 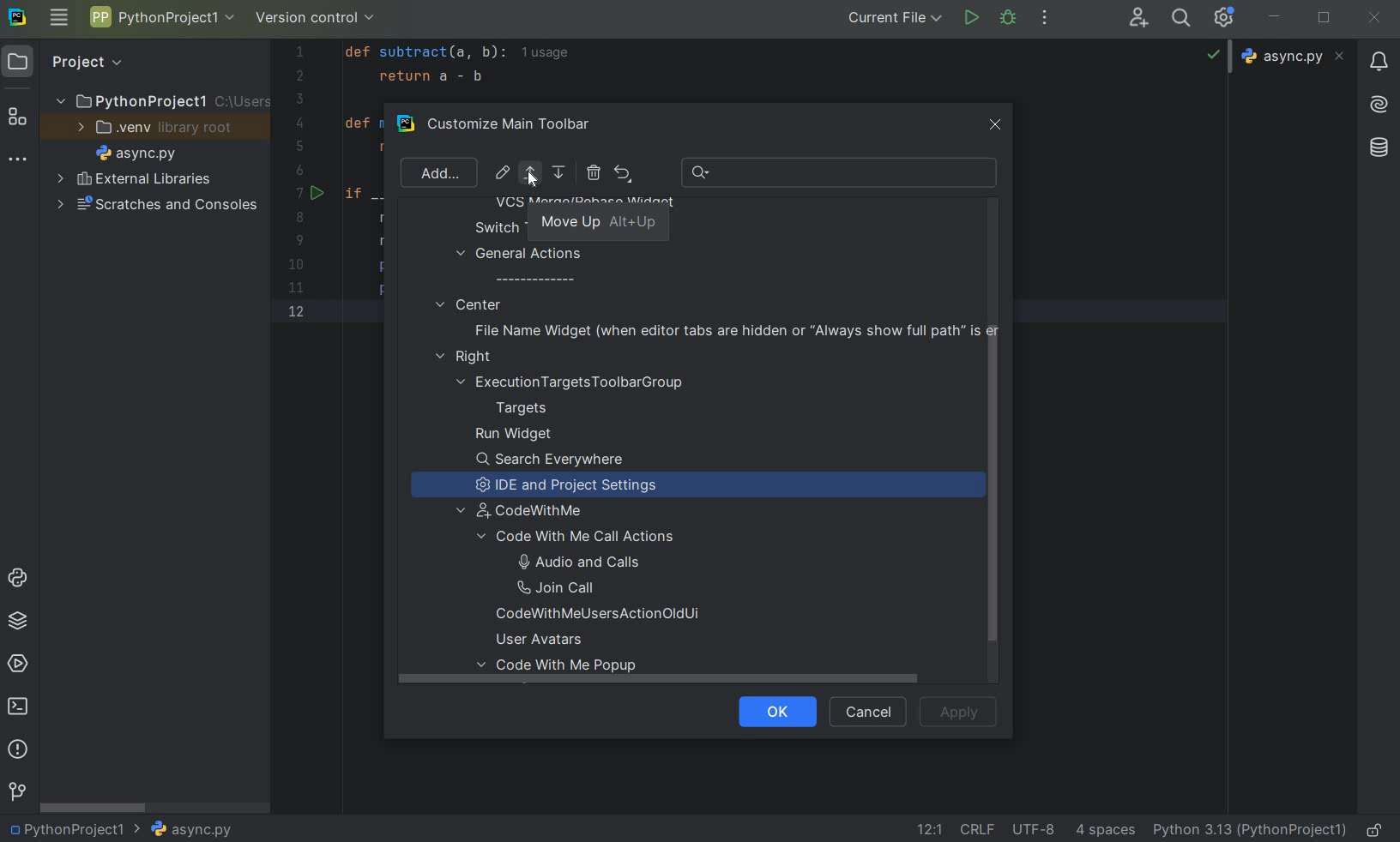 I want to click on switch task, so click(x=513, y=227).